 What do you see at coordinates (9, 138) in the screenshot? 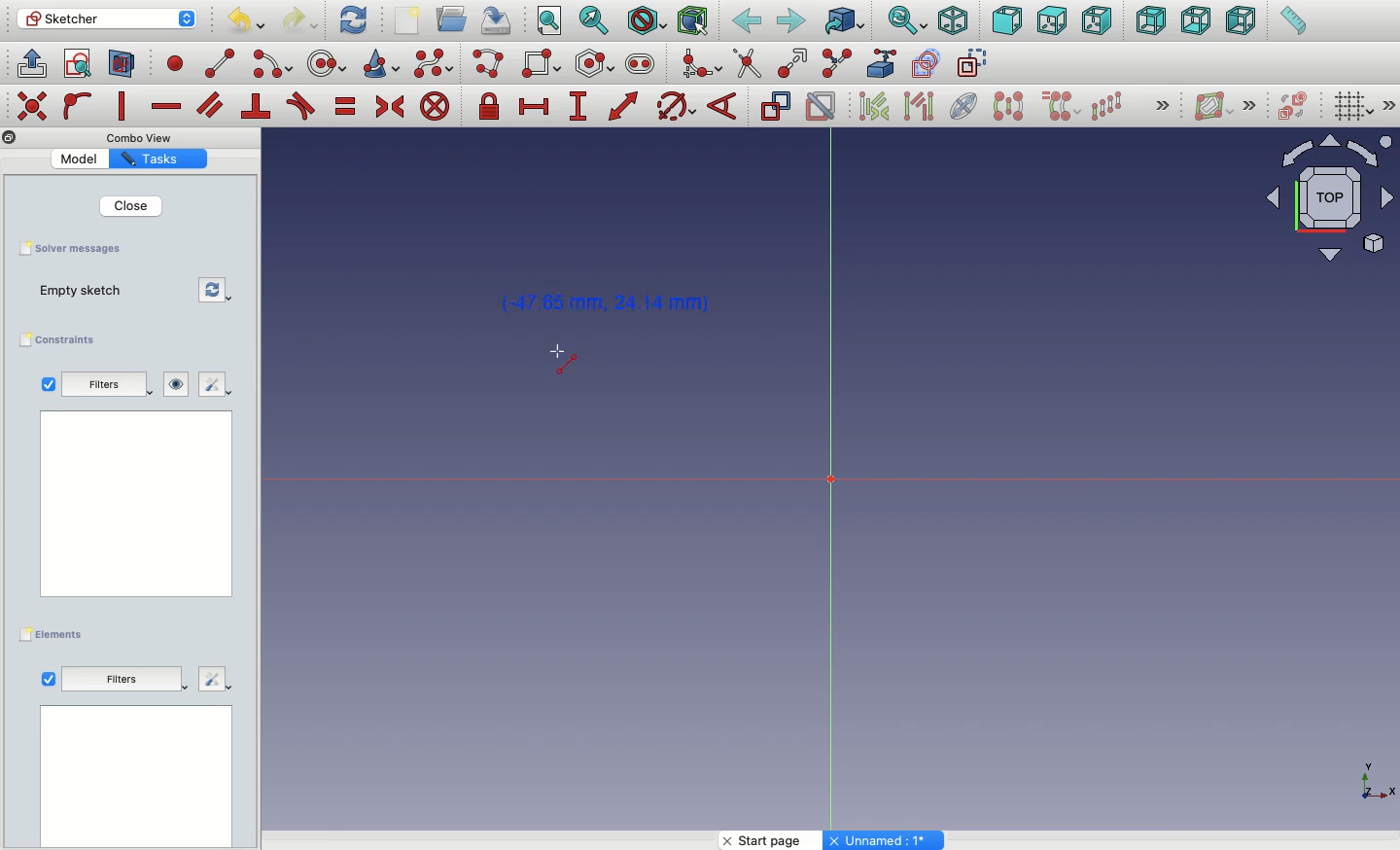
I see `` at bounding box center [9, 138].